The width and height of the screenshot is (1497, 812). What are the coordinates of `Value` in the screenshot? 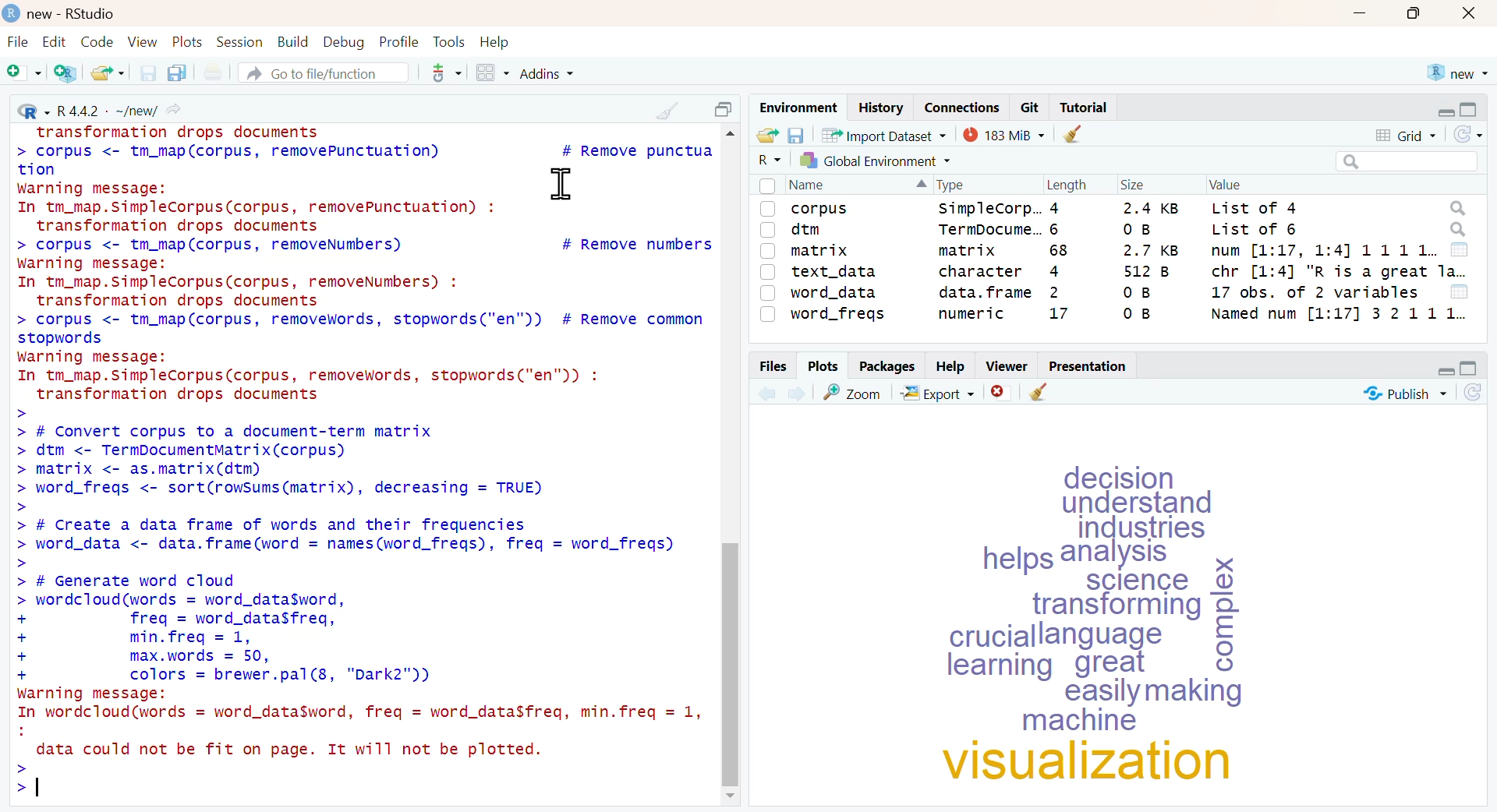 It's located at (1225, 185).